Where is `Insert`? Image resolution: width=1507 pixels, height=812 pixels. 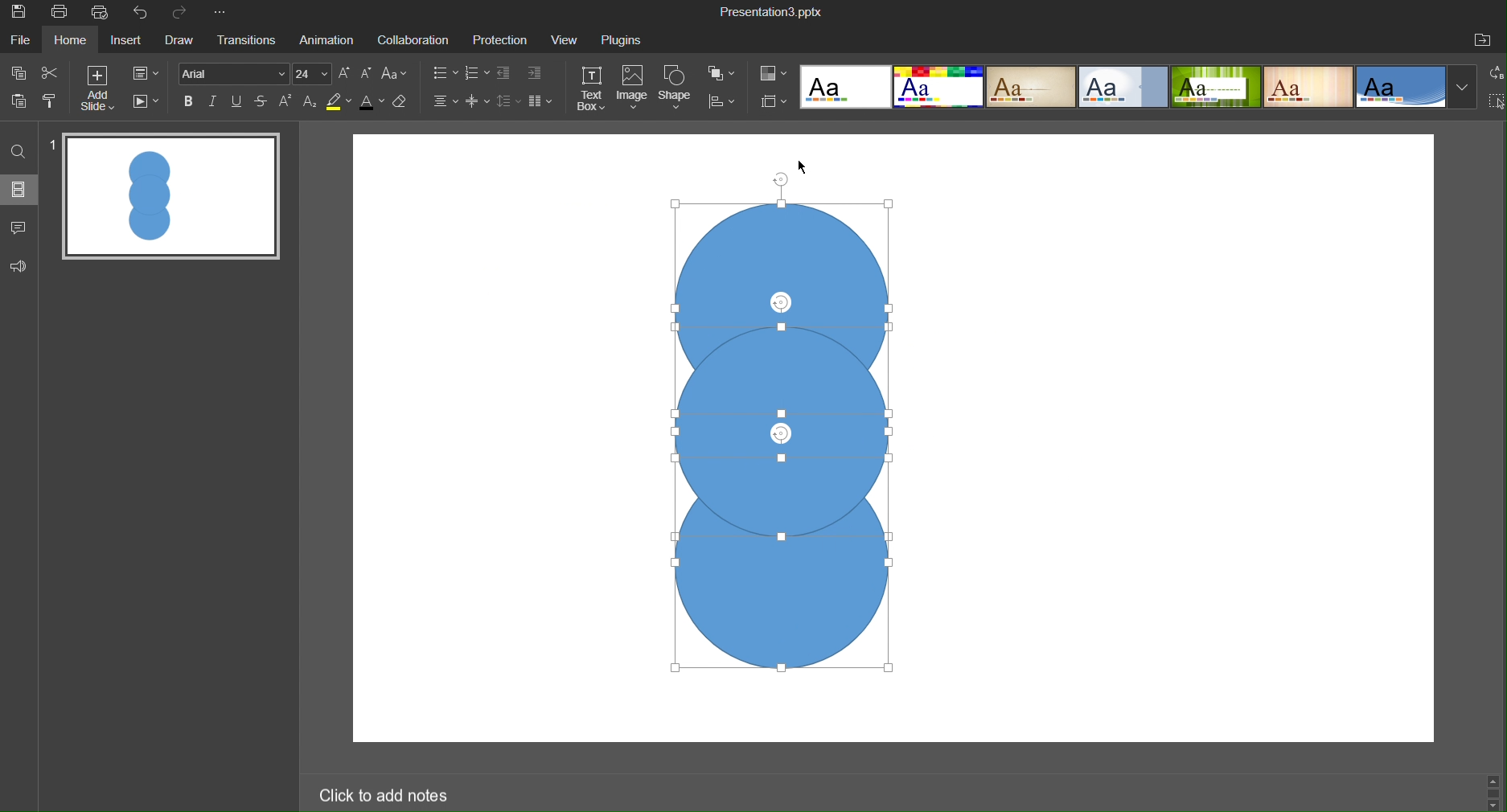 Insert is located at coordinates (132, 43).